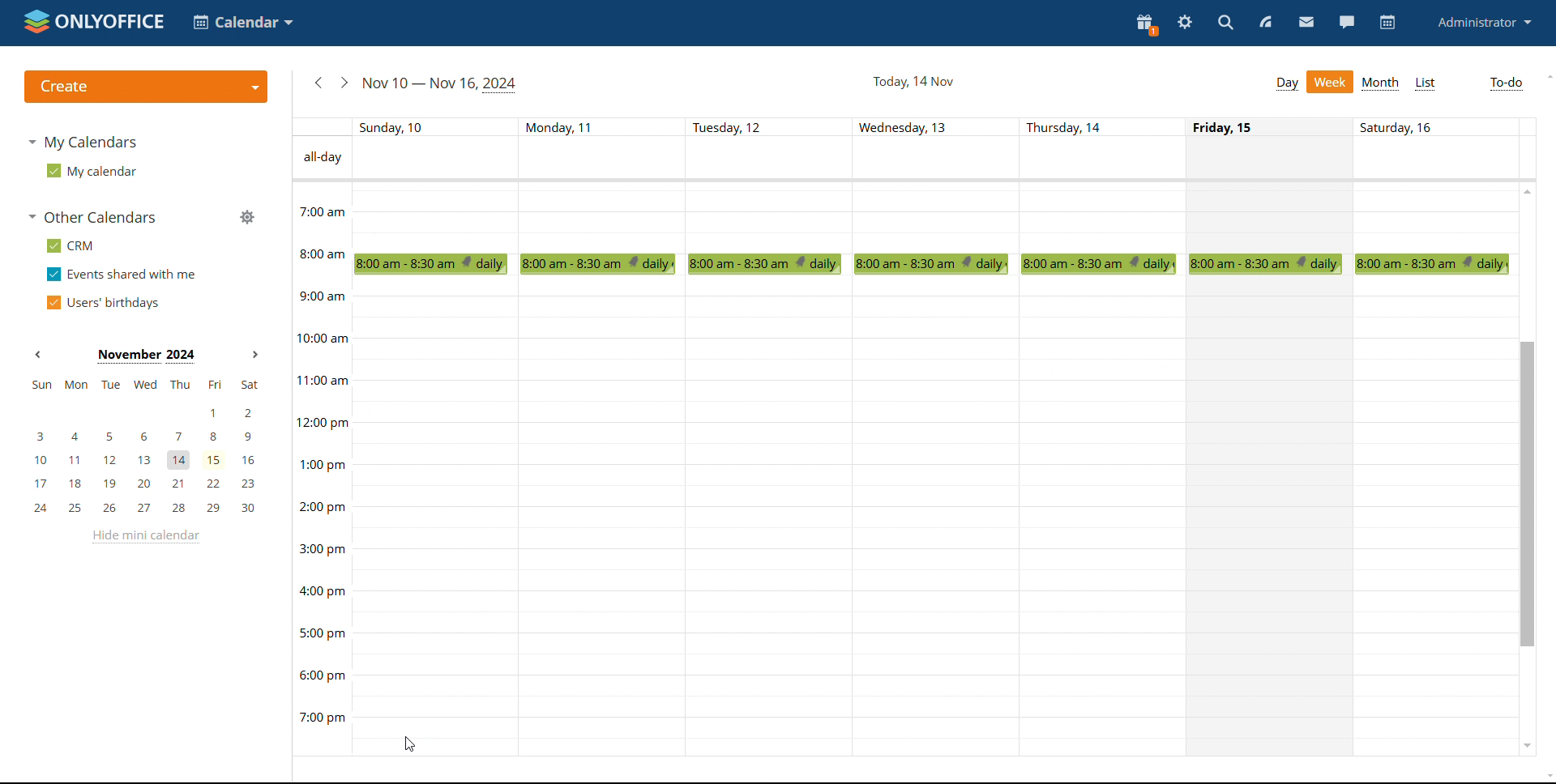 This screenshot has height=784, width=1556. What do you see at coordinates (145, 87) in the screenshot?
I see `create` at bounding box center [145, 87].